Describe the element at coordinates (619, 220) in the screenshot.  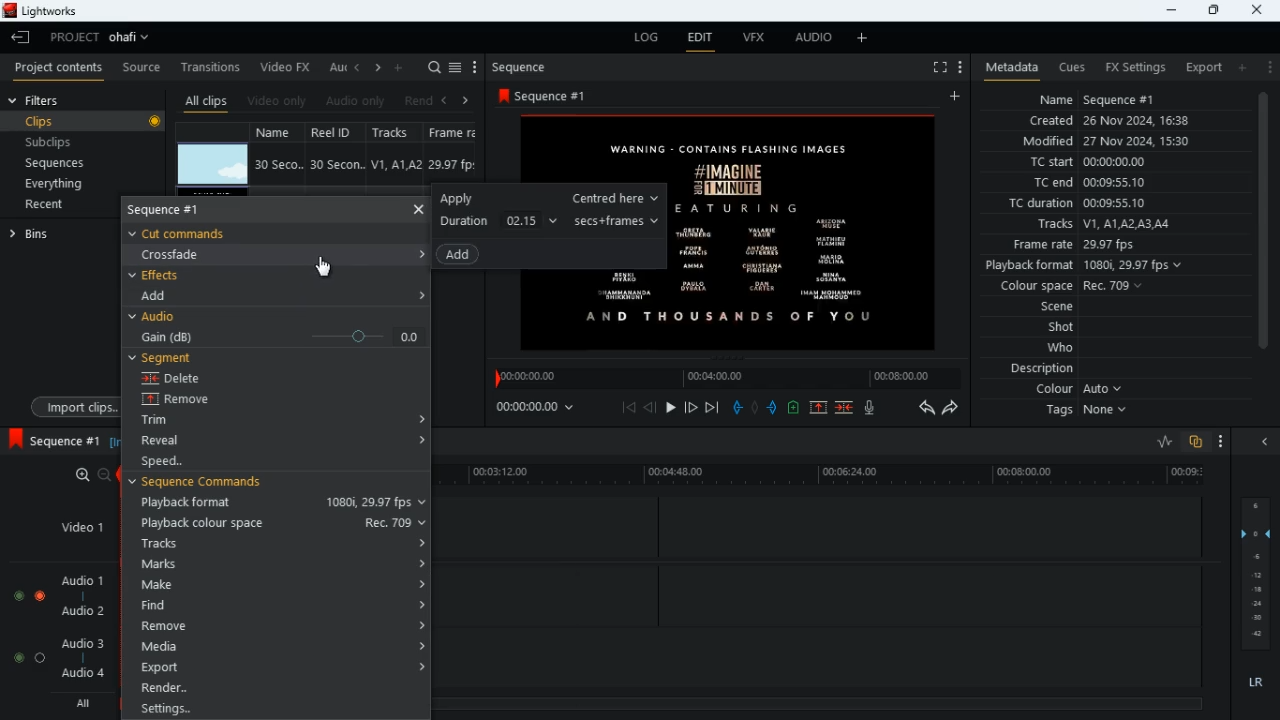
I see `secs + frames` at that location.